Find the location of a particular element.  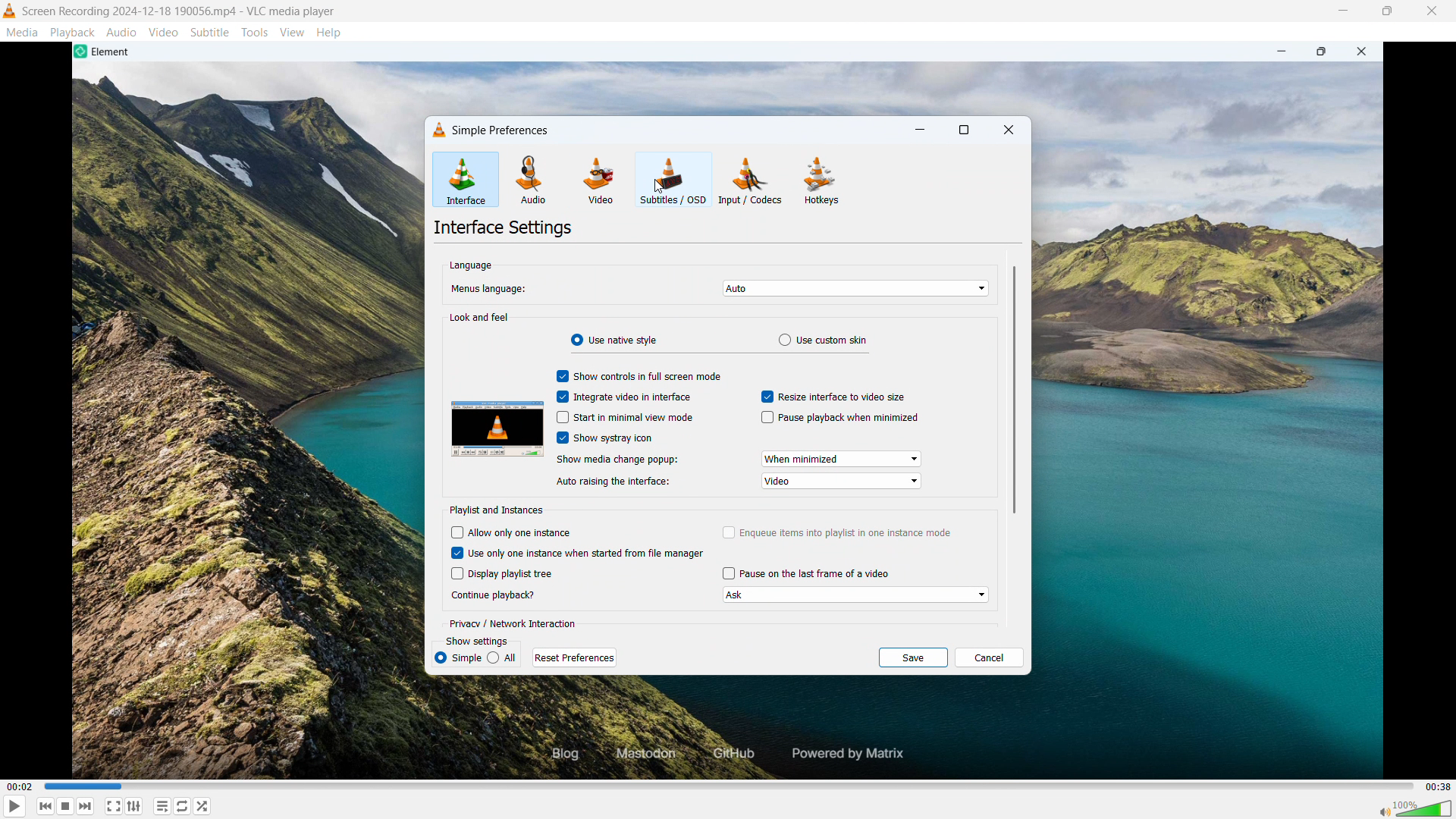

Show controls in full screen mode  is located at coordinates (651, 376).